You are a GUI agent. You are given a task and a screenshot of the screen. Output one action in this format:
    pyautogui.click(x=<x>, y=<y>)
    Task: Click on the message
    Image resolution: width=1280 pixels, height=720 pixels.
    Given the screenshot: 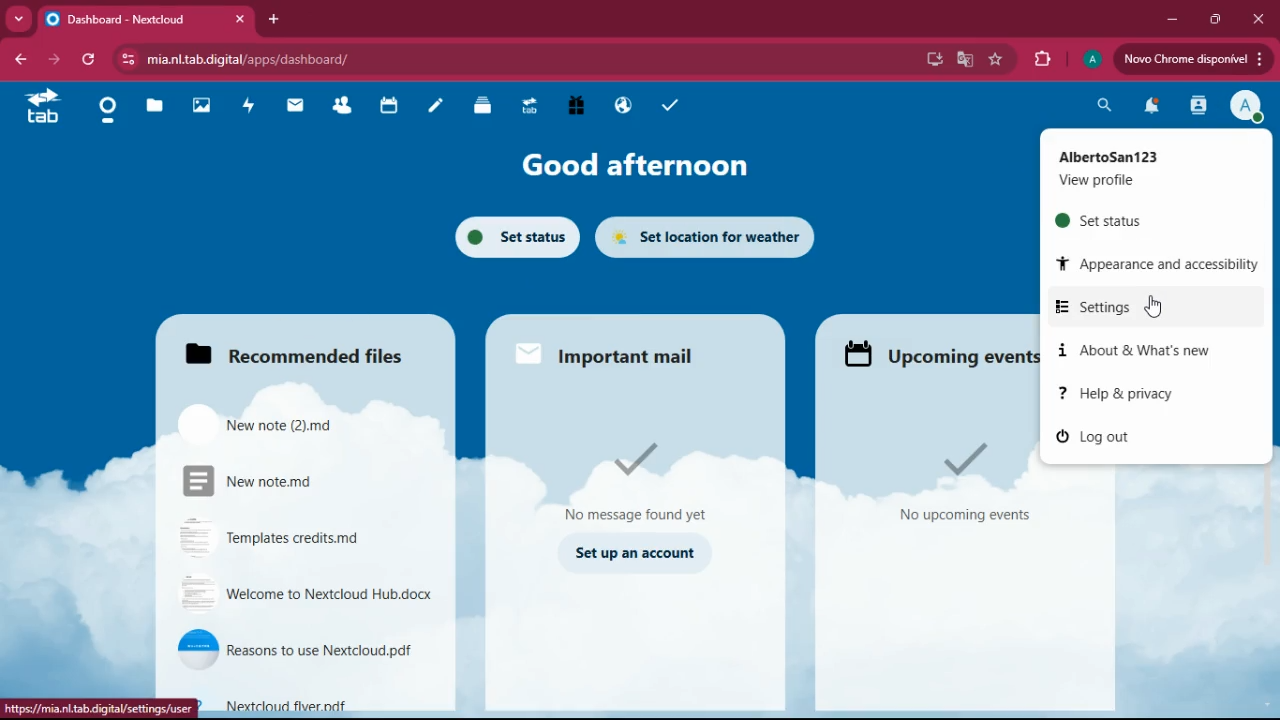 What is the action you would take?
    pyautogui.click(x=634, y=481)
    